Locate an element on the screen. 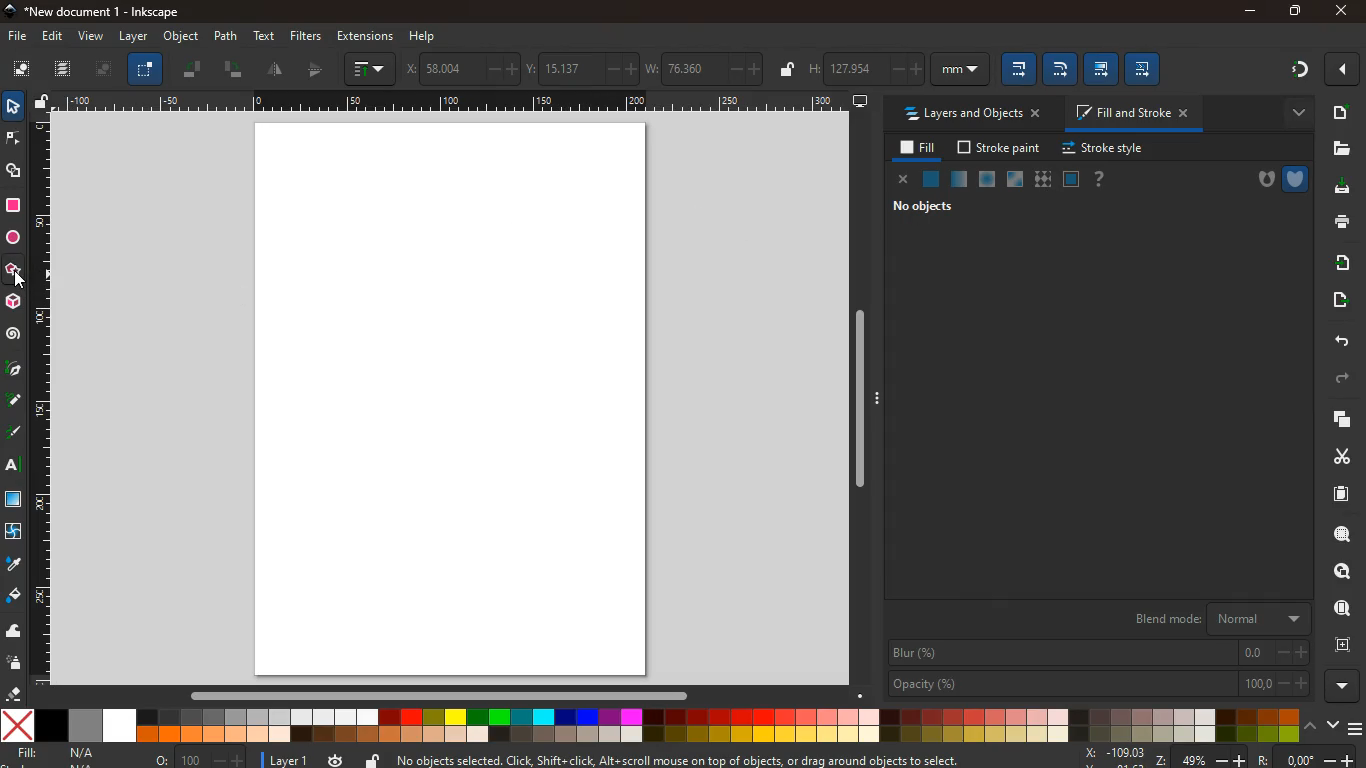 This screenshot has width=1366, height=768. erase is located at coordinates (14, 692).